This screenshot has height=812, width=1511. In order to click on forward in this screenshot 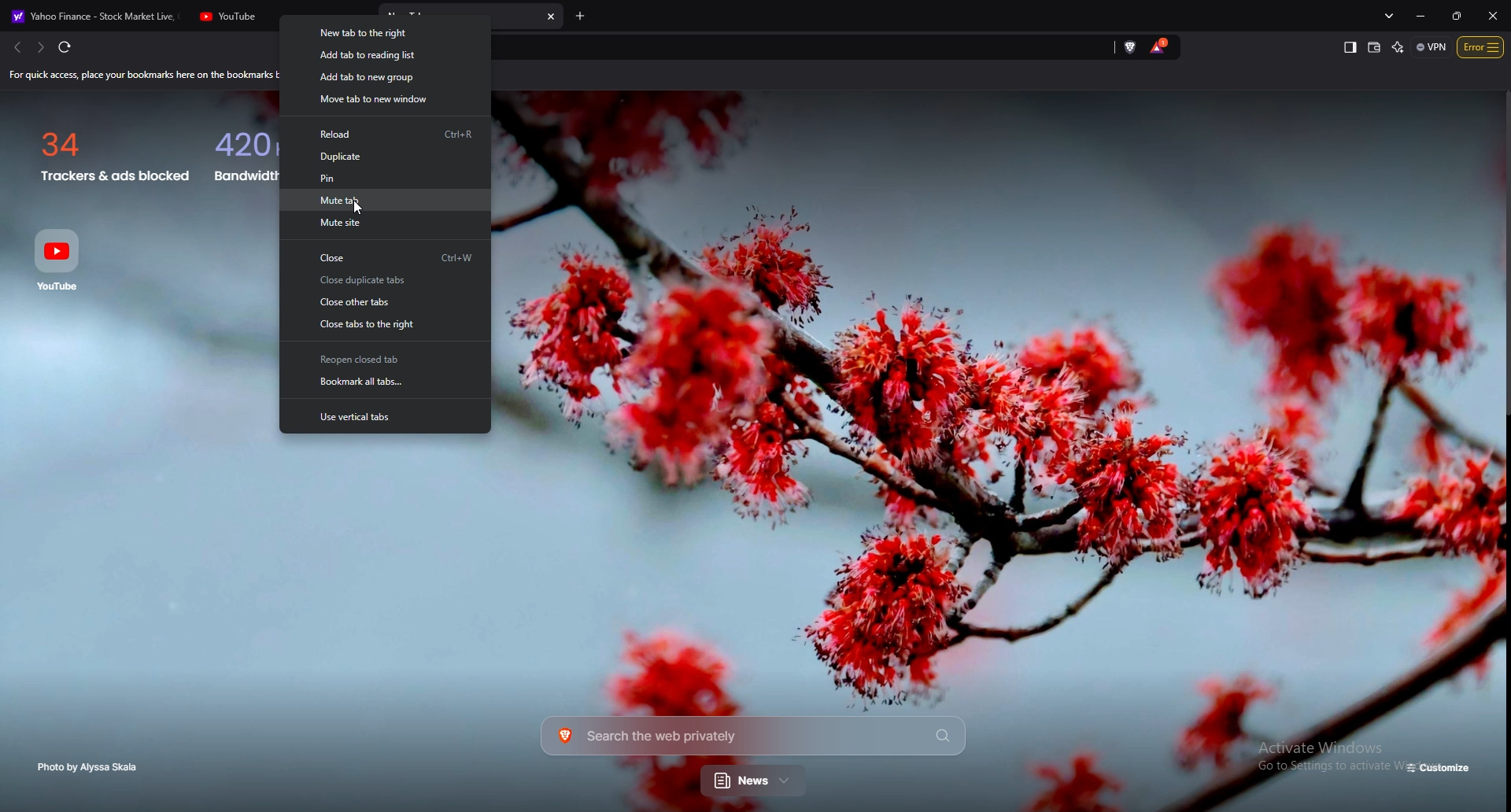, I will do `click(39, 47)`.